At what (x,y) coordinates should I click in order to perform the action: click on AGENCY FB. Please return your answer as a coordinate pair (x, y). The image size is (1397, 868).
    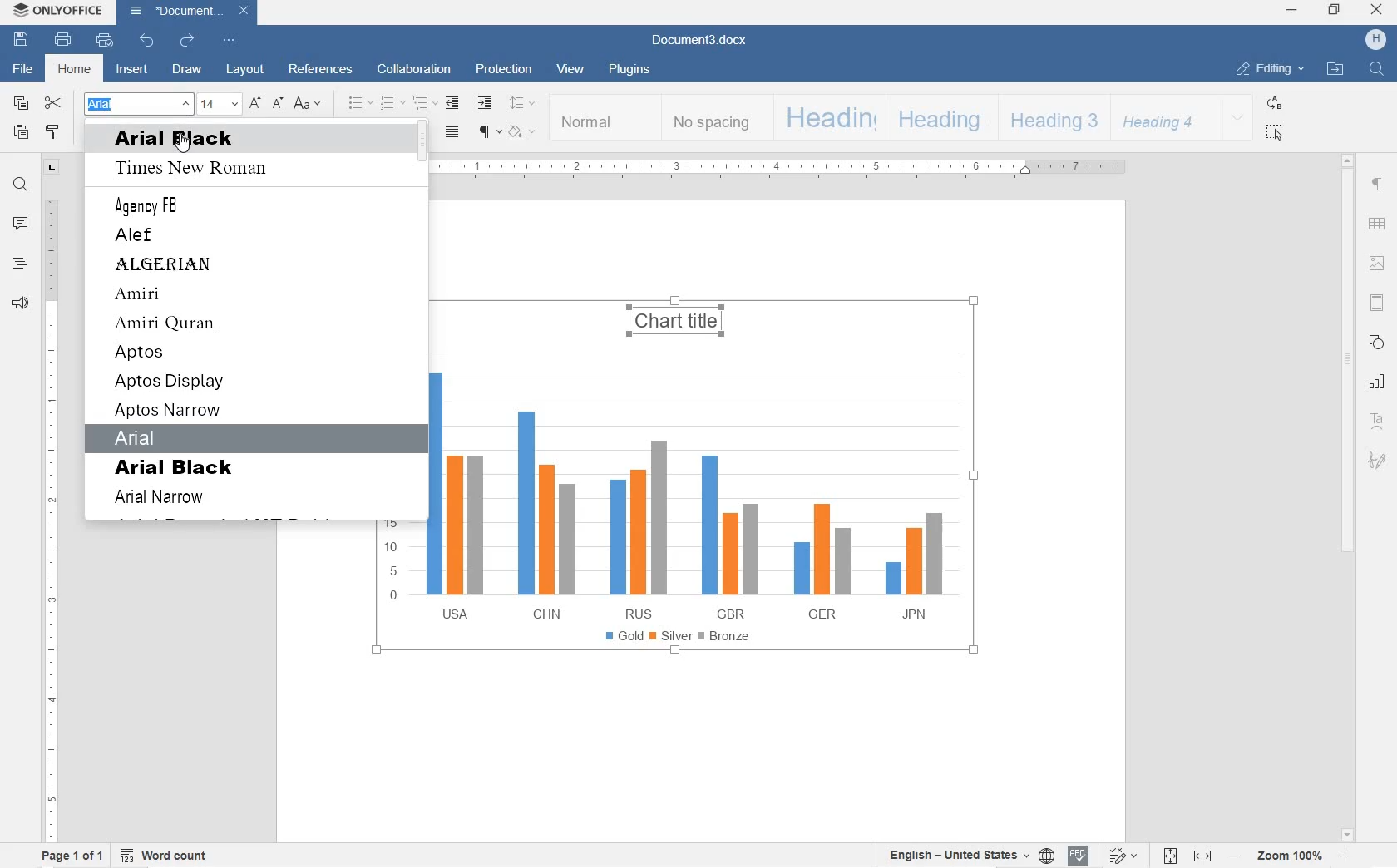
    Looking at the image, I should click on (151, 205).